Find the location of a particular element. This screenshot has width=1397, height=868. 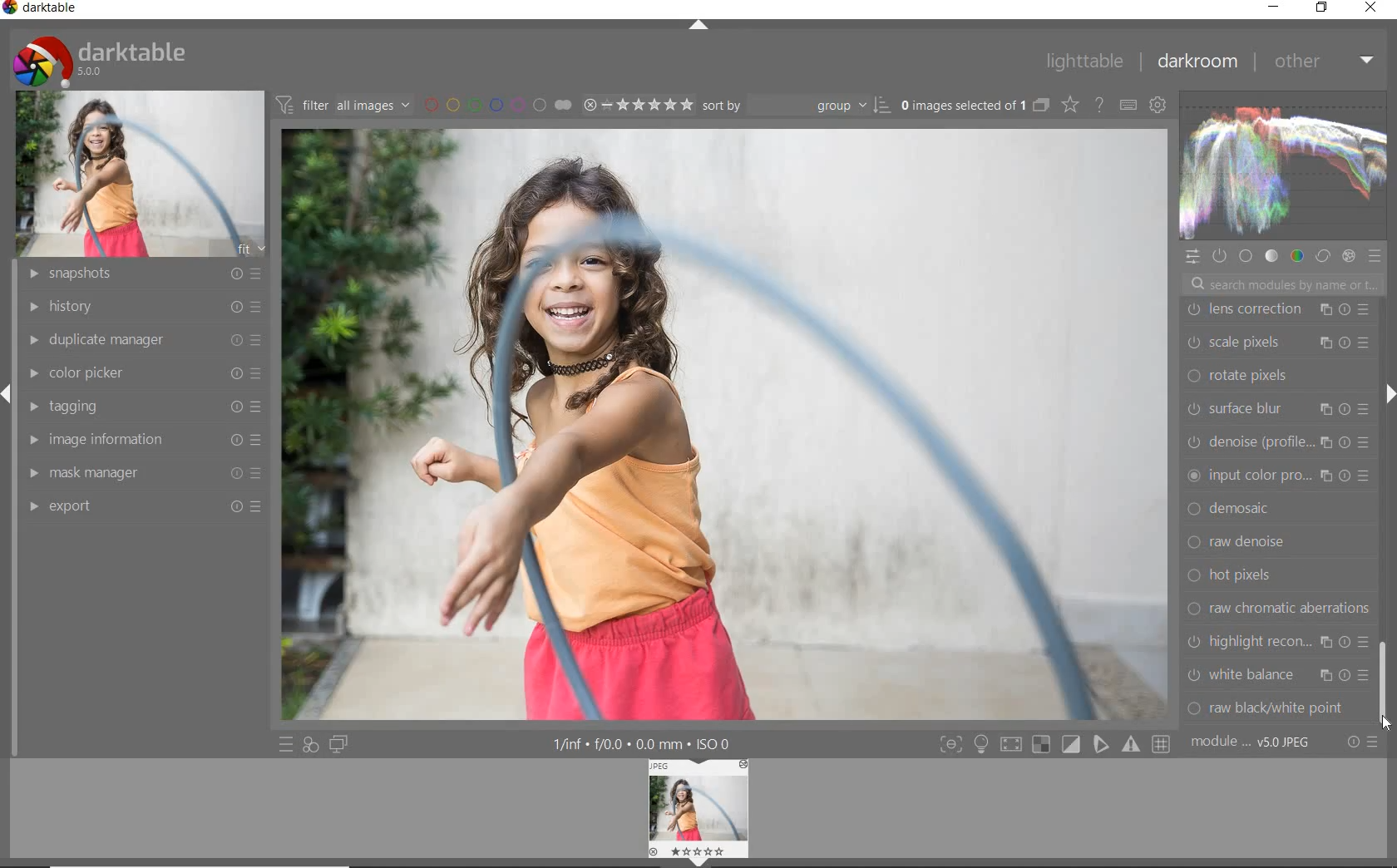

toggle mode is located at coordinates (950, 744).